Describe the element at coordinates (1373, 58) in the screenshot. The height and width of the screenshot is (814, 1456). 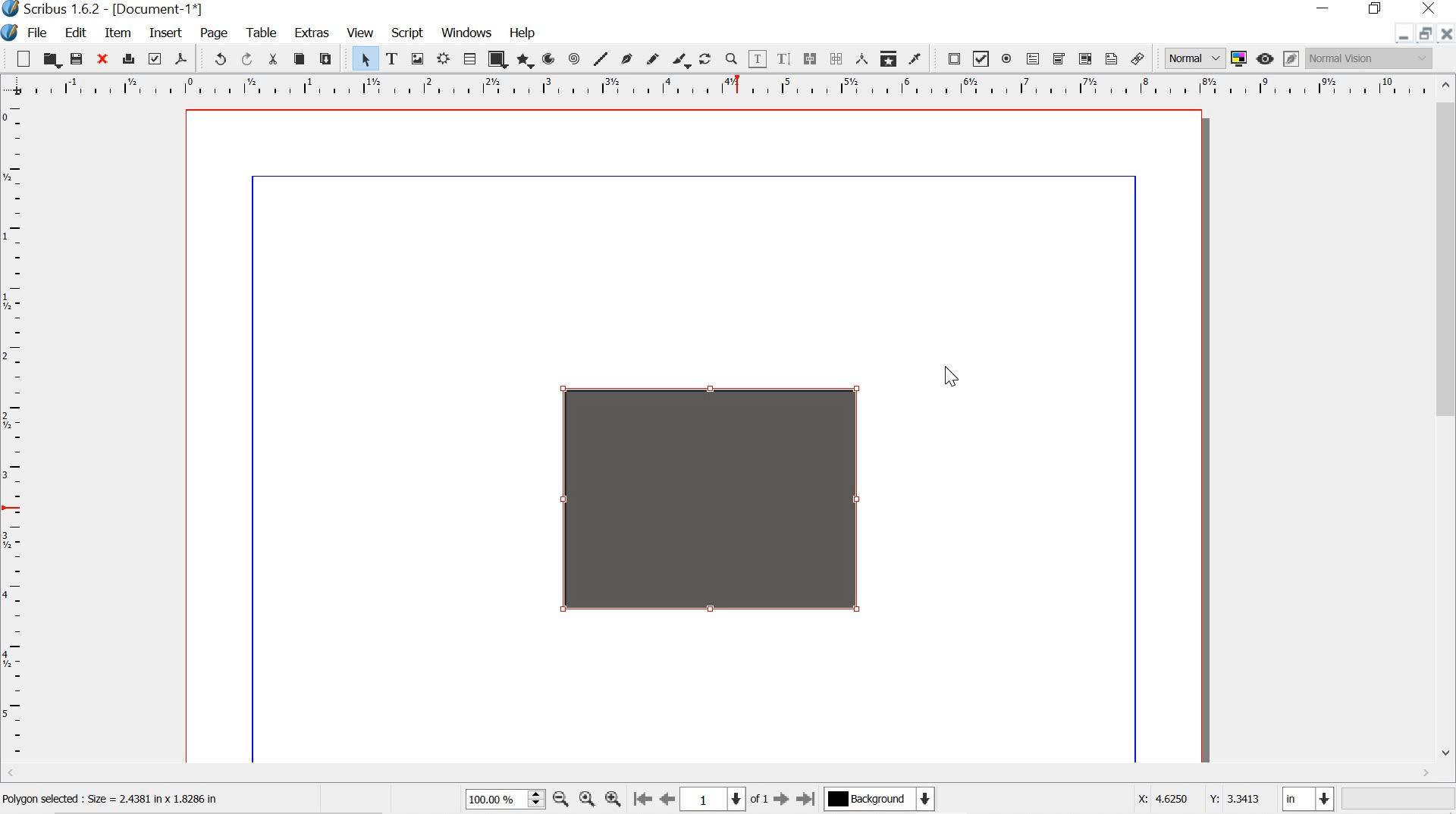
I see `Normal vision` at that location.